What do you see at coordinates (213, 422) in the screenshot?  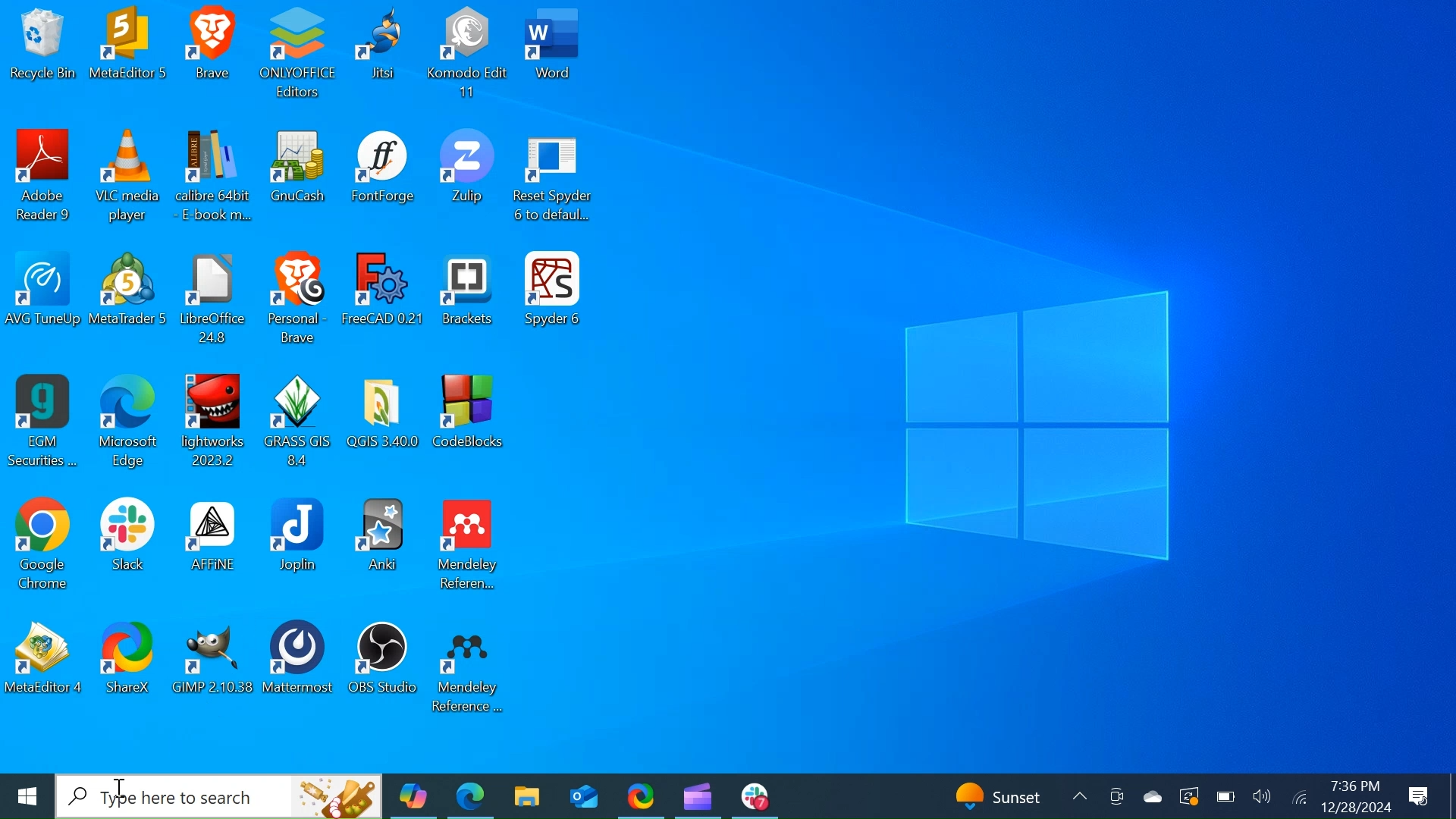 I see `Lightworks Desktop Icon` at bounding box center [213, 422].